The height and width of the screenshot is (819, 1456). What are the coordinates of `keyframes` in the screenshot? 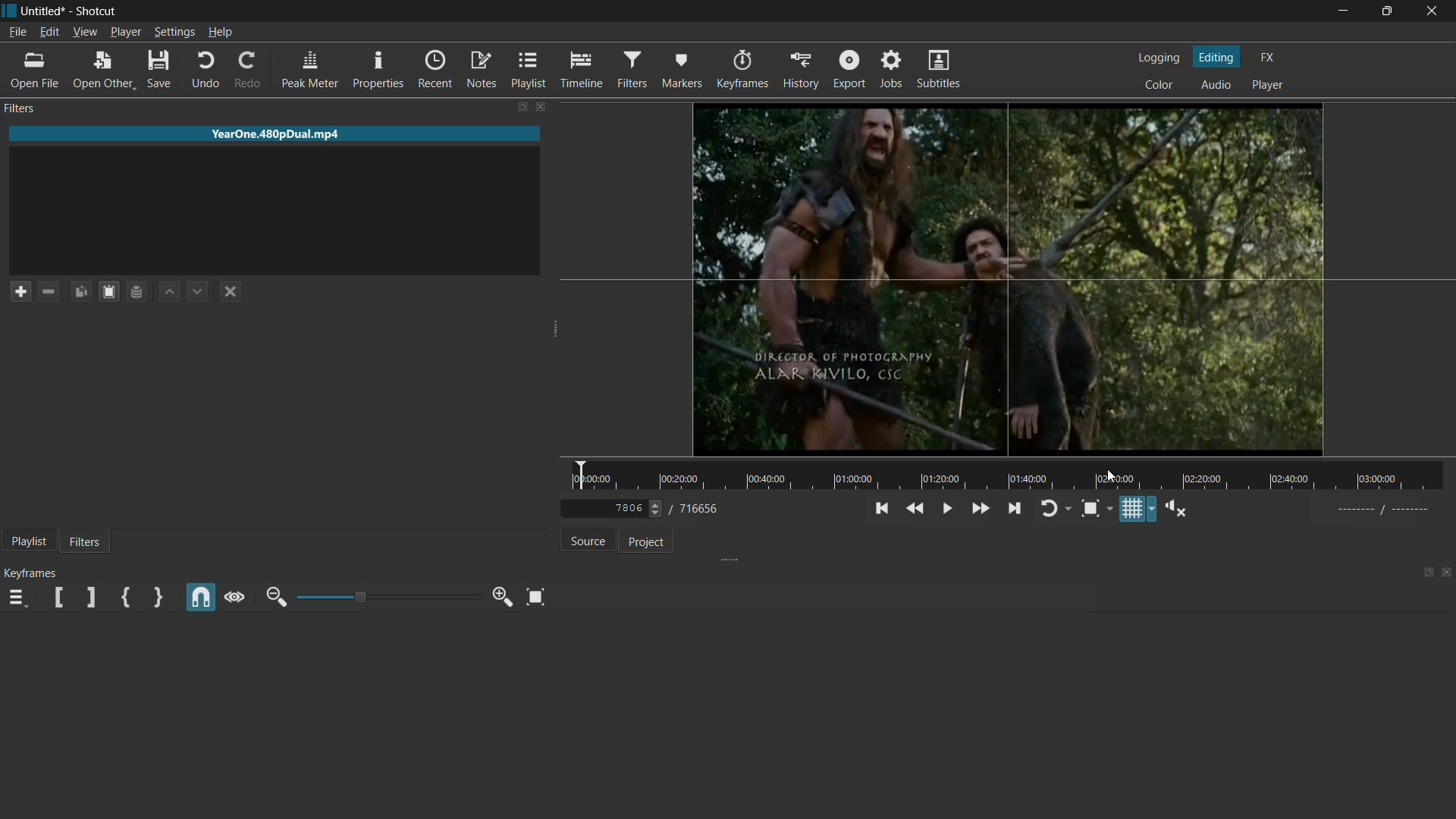 It's located at (742, 70).